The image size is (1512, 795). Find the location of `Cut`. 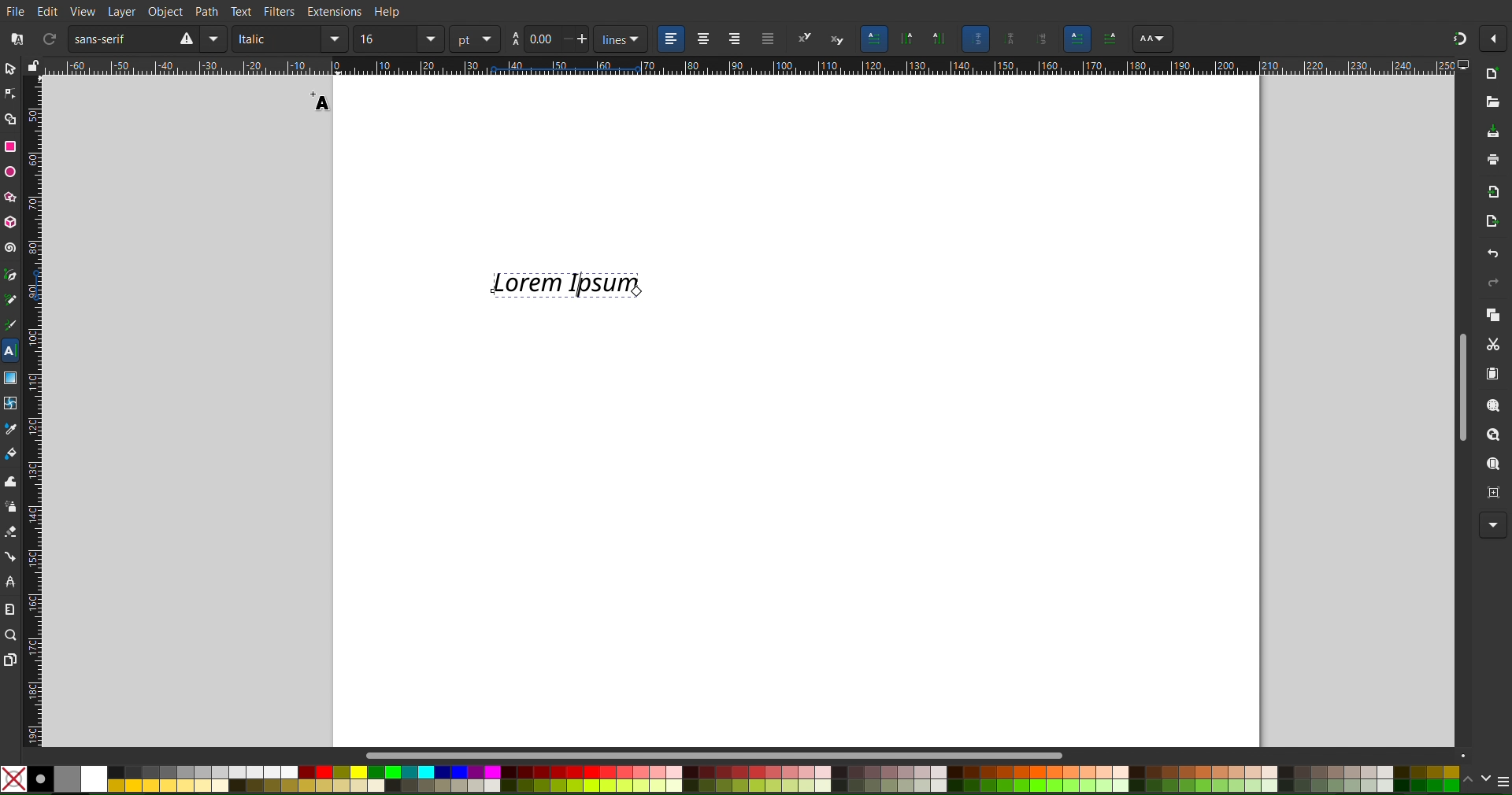

Cut is located at coordinates (1494, 346).